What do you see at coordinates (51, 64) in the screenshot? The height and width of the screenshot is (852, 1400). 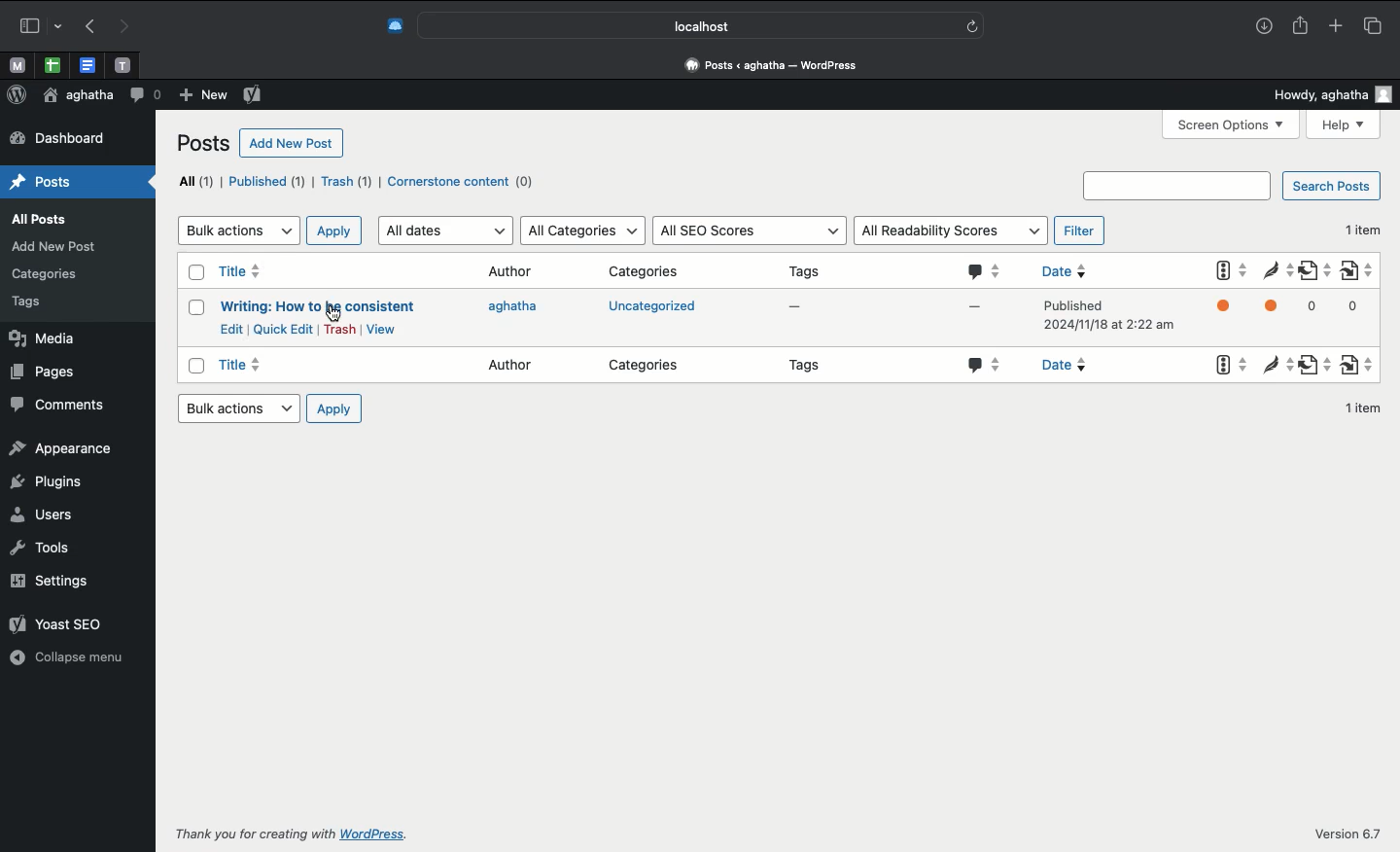 I see `Pinned tabs` at bounding box center [51, 64].